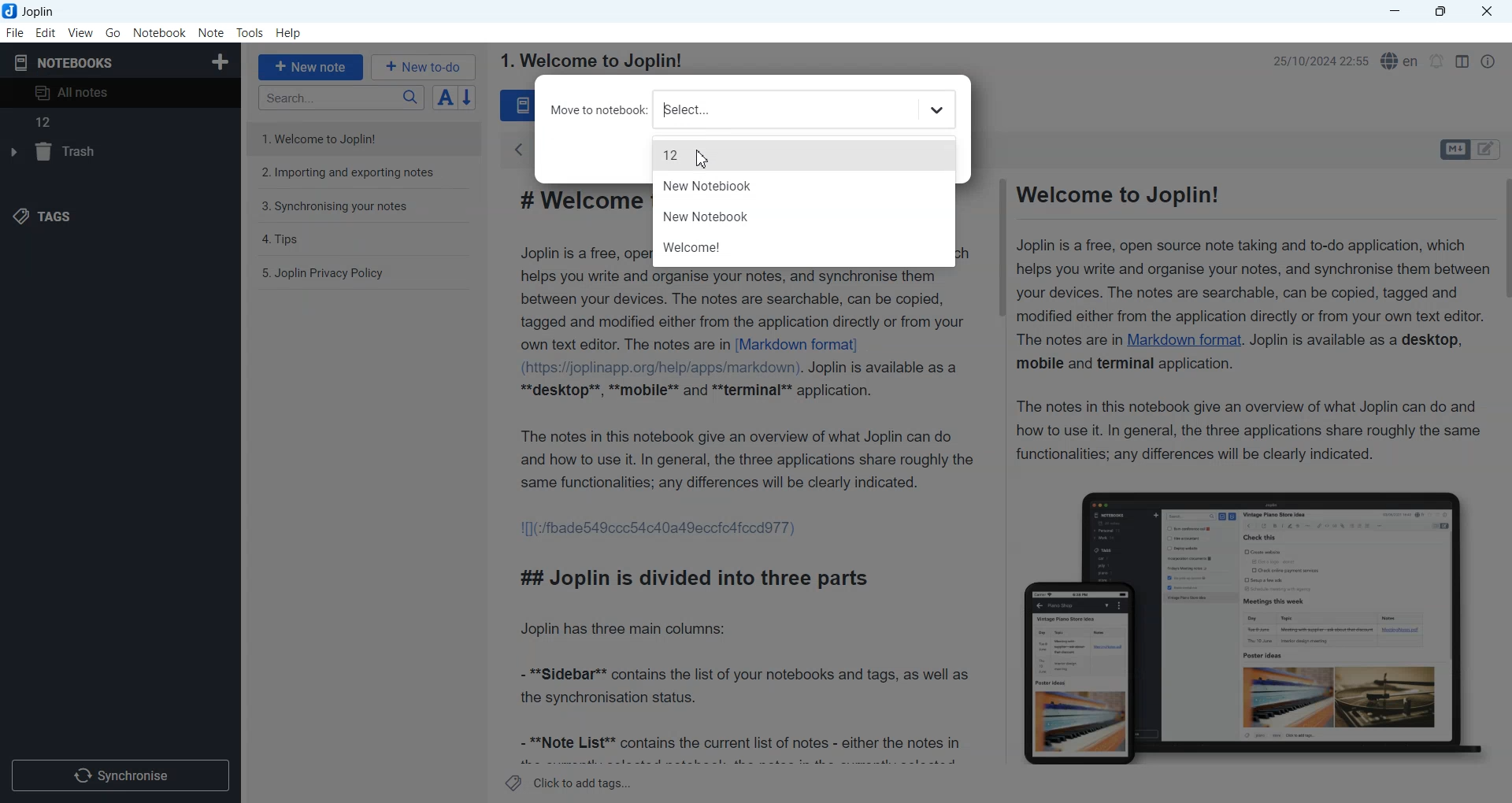 The image size is (1512, 803). Describe the element at coordinates (250, 33) in the screenshot. I see `Tools` at that location.